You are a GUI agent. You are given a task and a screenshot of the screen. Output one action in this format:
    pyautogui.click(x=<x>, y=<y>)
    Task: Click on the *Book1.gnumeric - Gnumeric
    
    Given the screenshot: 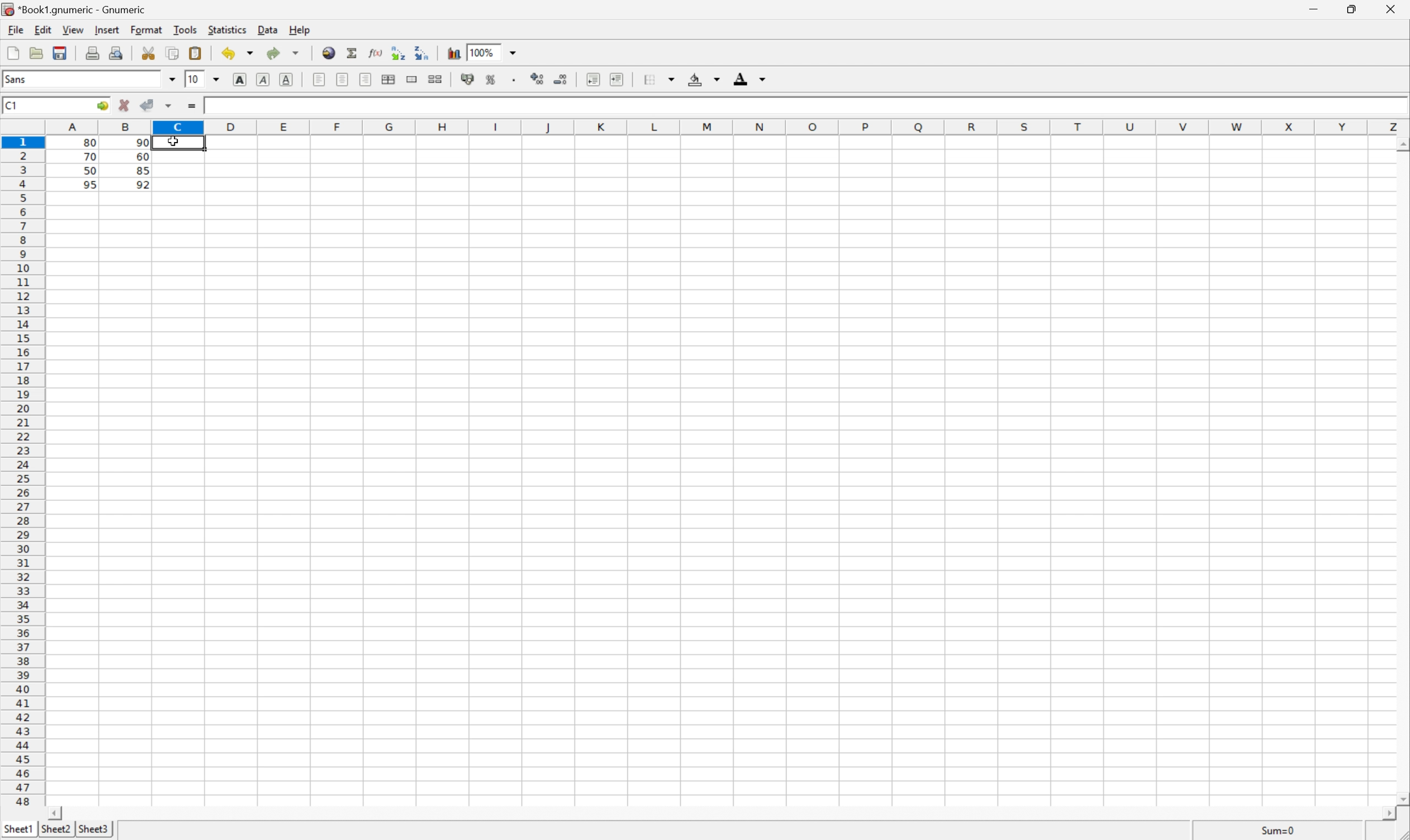 What is the action you would take?
    pyautogui.click(x=72, y=9)
    